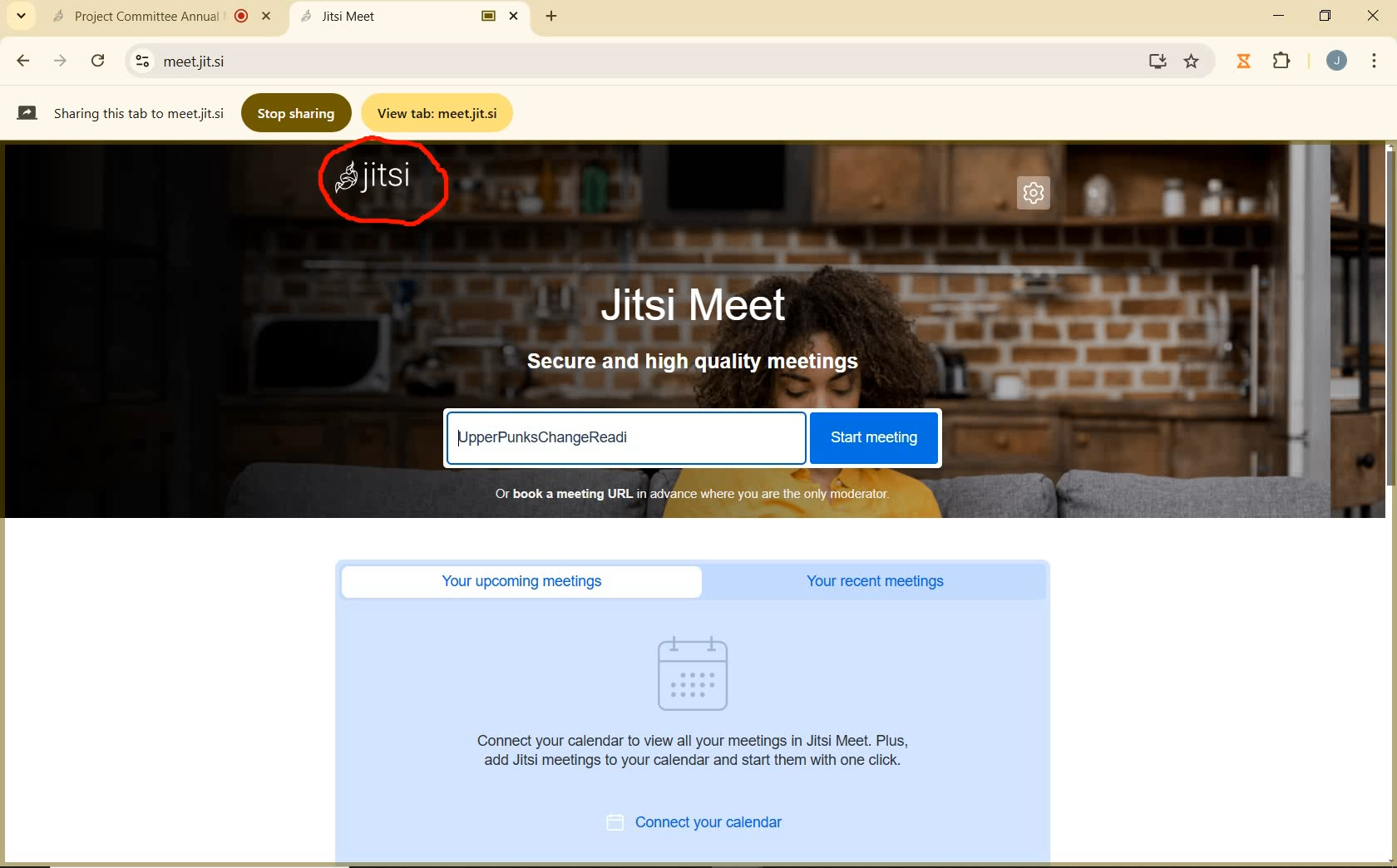 The height and width of the screenshot is (868, 1397). What do you see at coordinates (708, 303) in the screenshot?
I see `JITSI MEET` at bounding box center [708, 303].